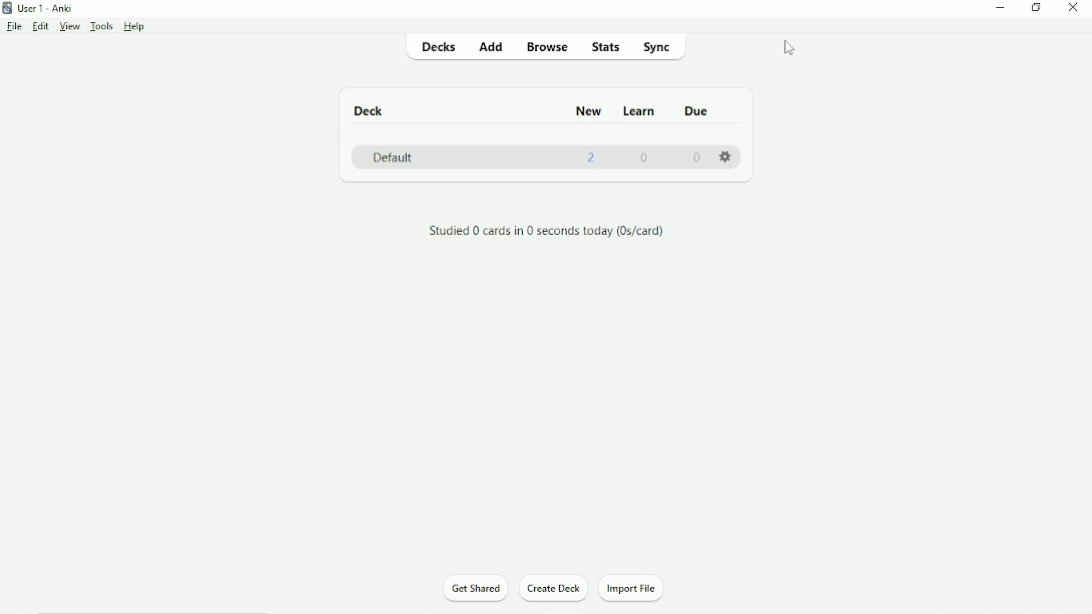  What do you see at coordinates (647, 160) in the screenshot?
I see `0` at bounding box center [647, 160].